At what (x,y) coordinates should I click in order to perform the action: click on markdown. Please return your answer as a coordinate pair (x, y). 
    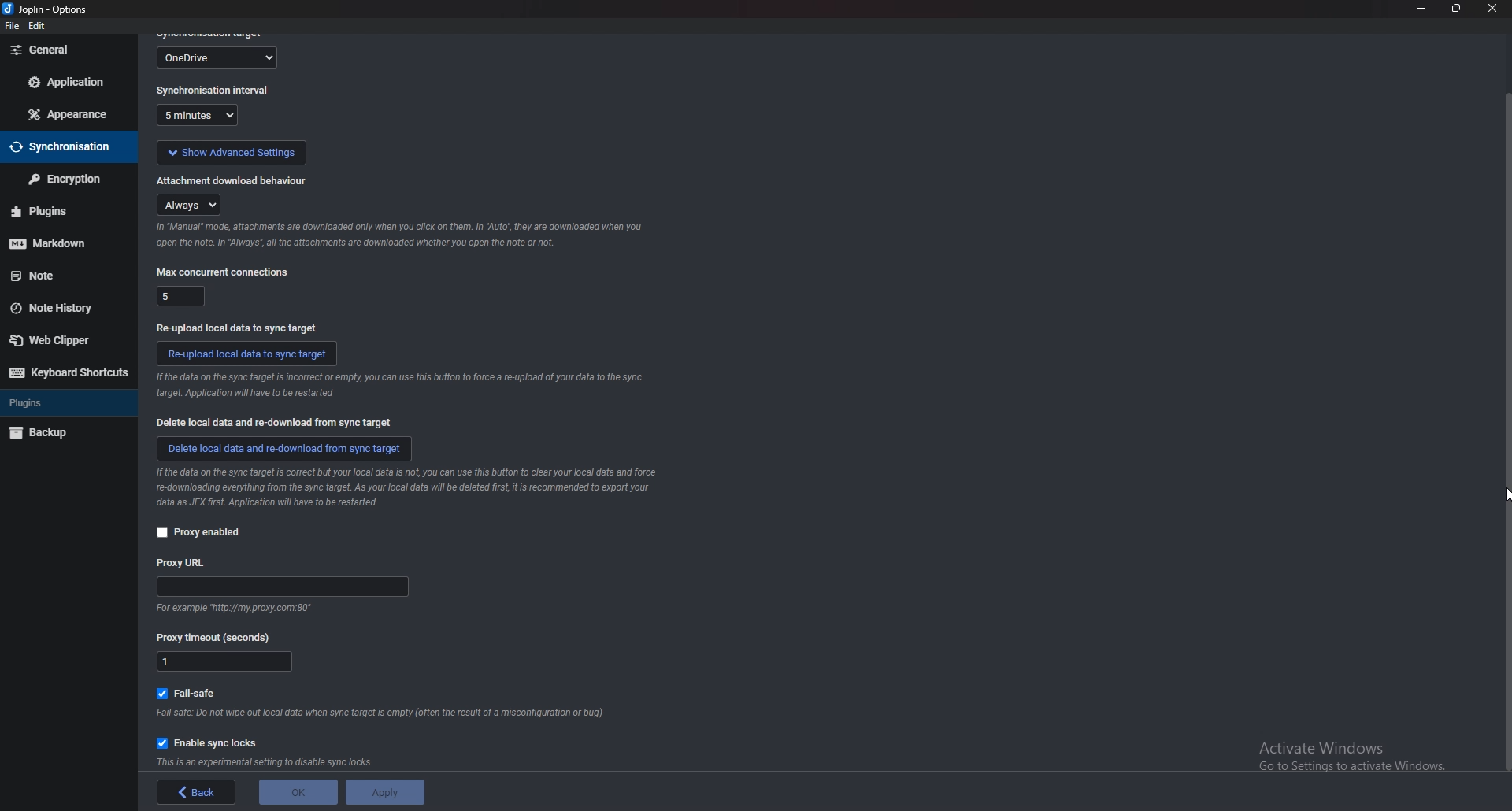
    Looking at the image, I should click on (57, 245).